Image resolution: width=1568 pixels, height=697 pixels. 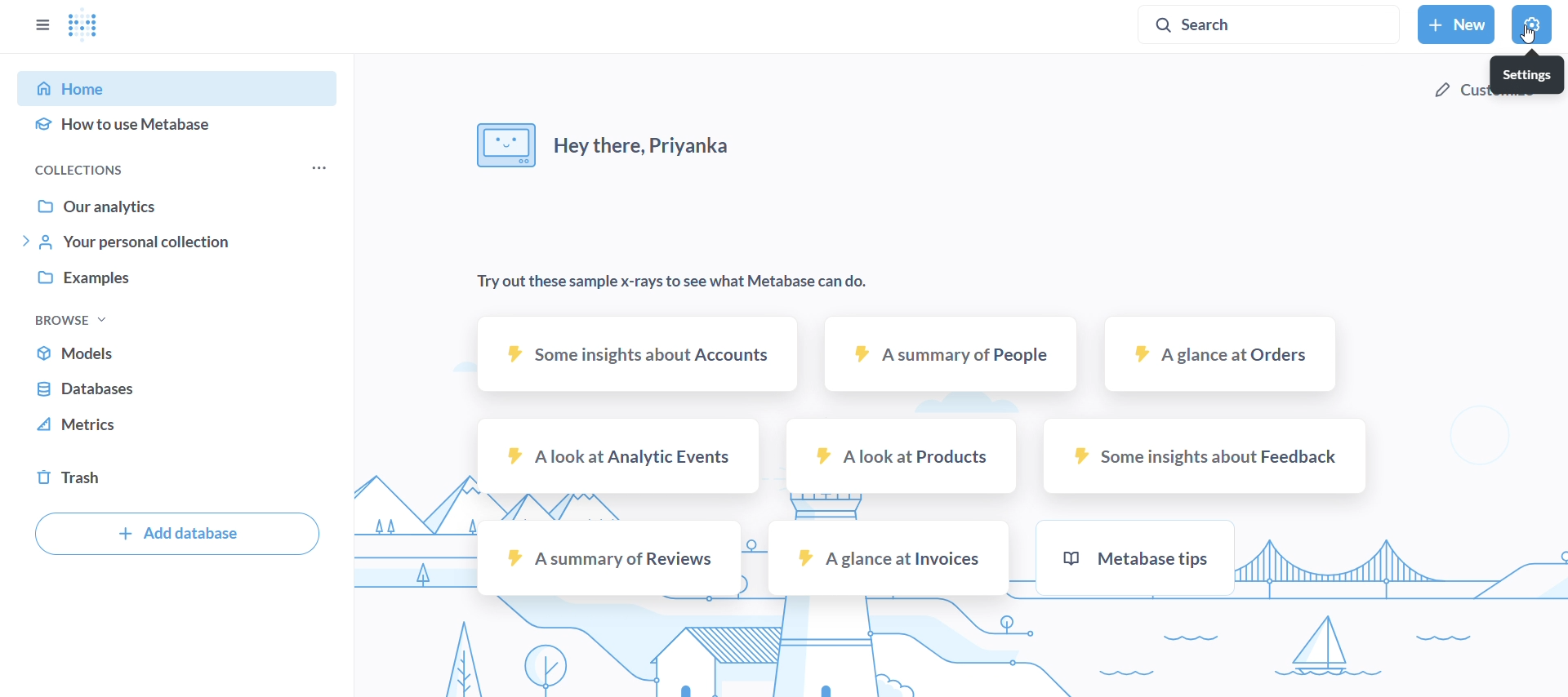 What do you see at coordinates (181, 480) in the screenshot?
I see `trash` at bounding box center [181, 480].